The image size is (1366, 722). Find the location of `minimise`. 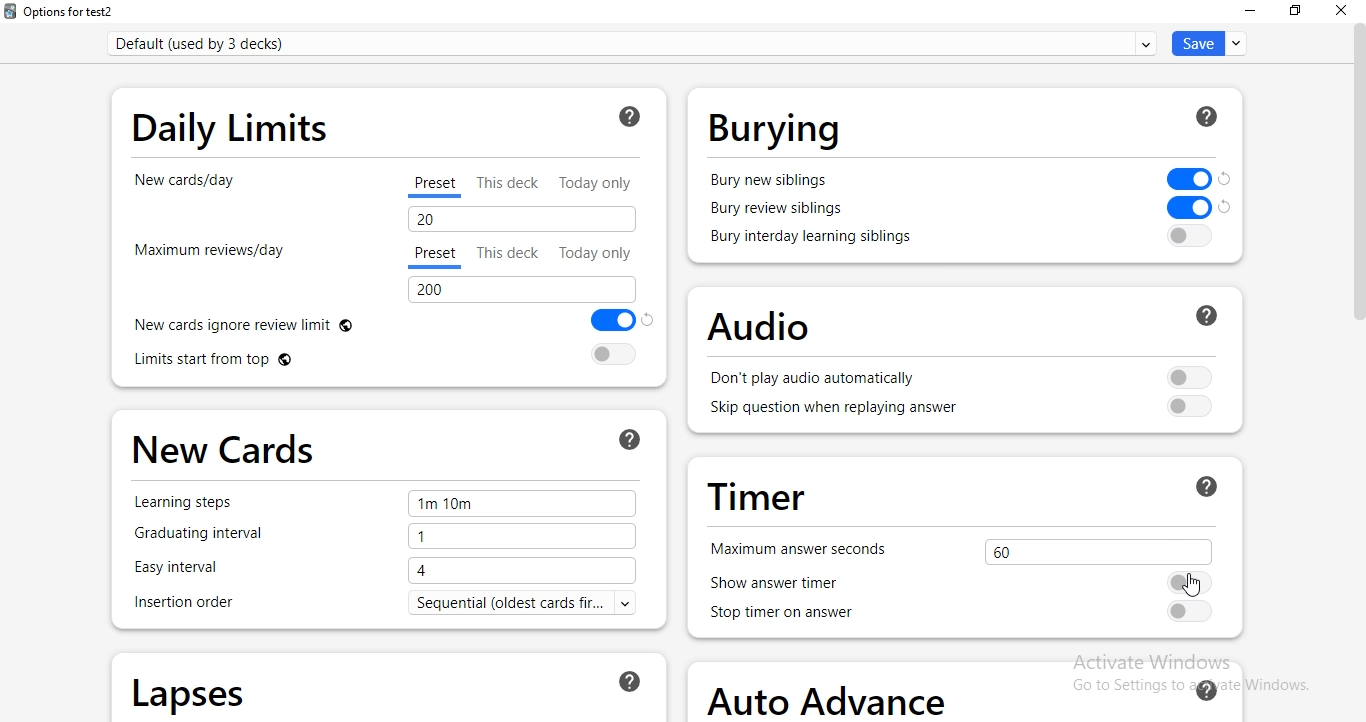

minimise is located at coordinates (1248, 12).